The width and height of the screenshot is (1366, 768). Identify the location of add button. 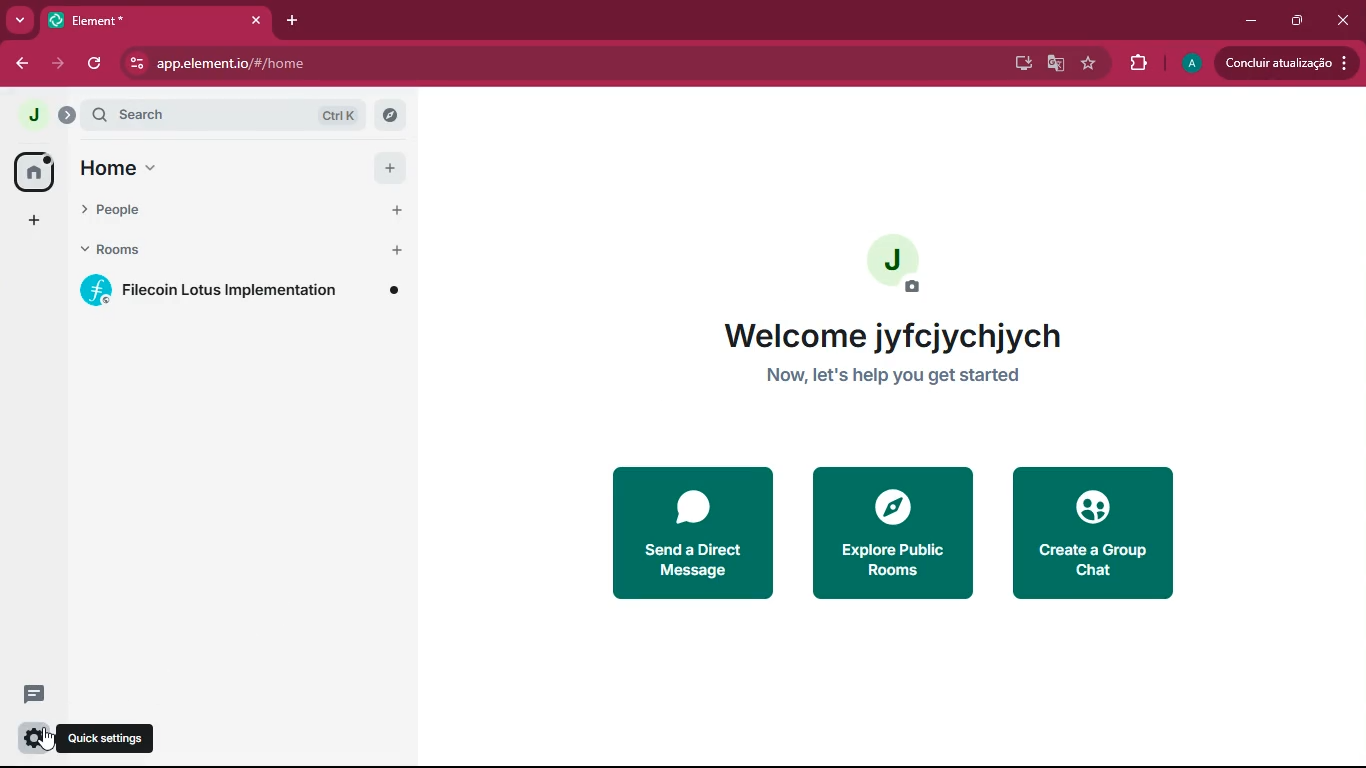
(400, 210).